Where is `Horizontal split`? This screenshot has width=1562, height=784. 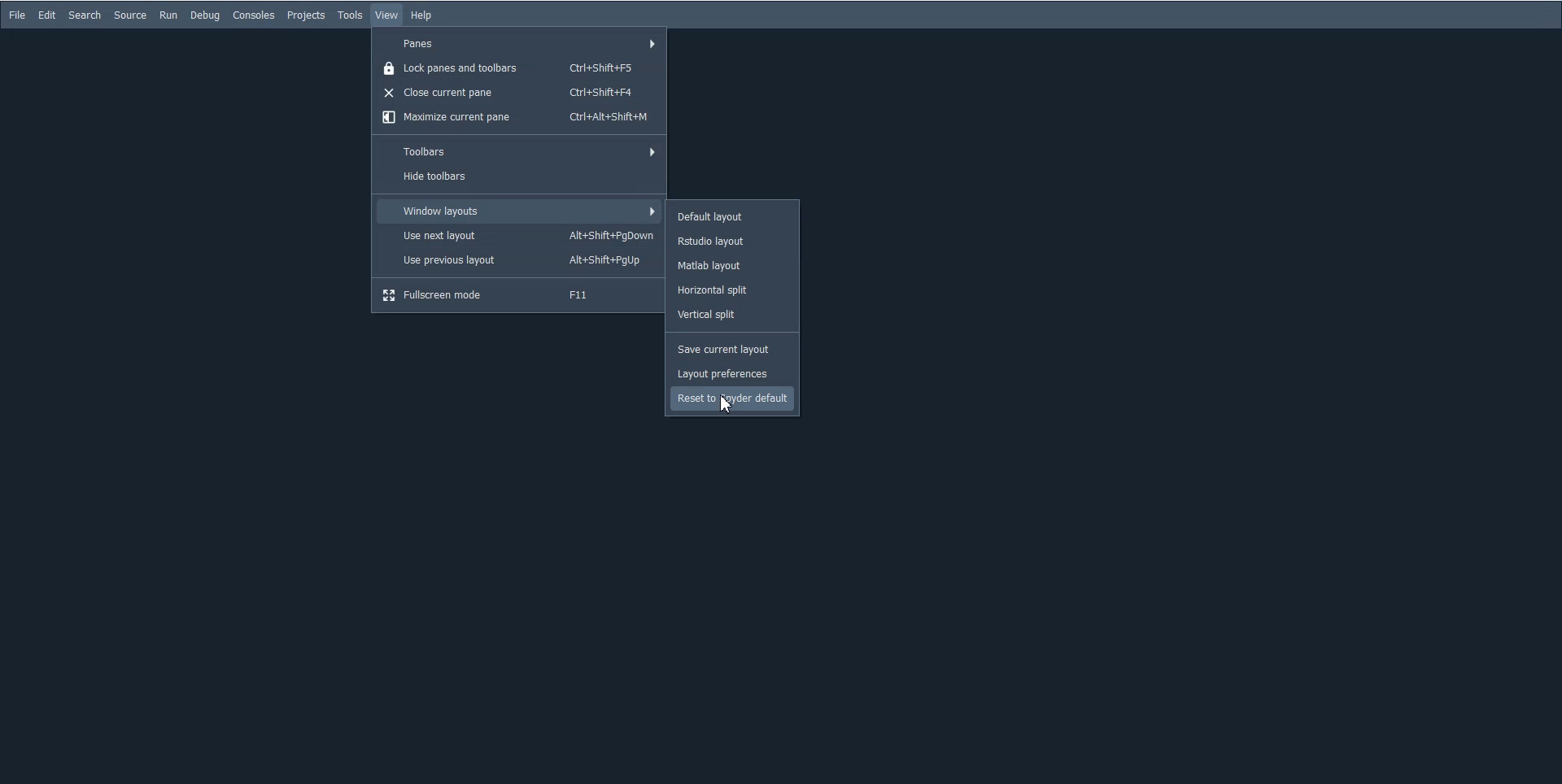
Horizontal split is located at coordinates (733, 291).